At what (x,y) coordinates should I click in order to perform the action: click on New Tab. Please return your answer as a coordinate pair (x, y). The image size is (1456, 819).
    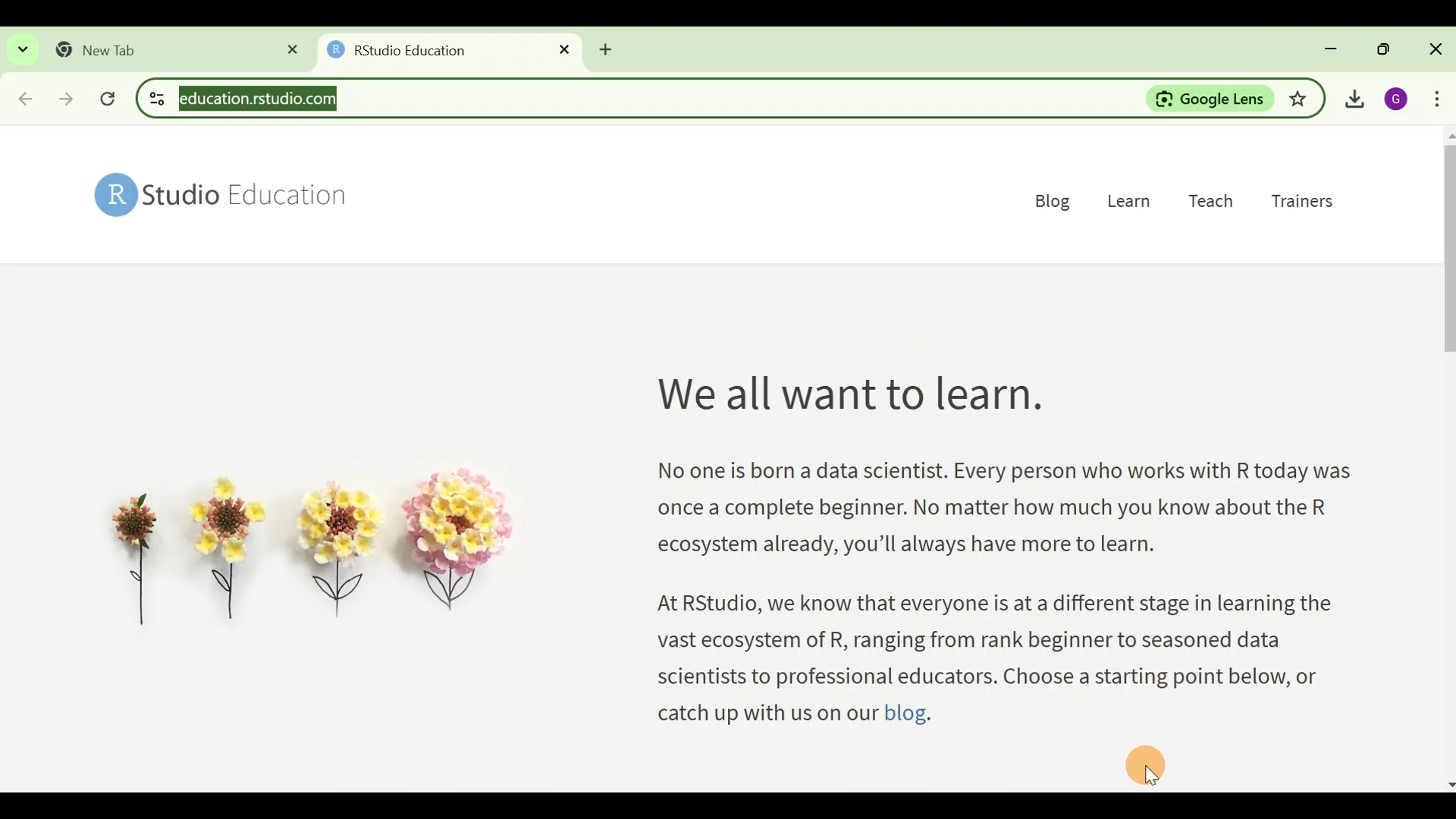
    Looking at the image, I should click on (101, 48).